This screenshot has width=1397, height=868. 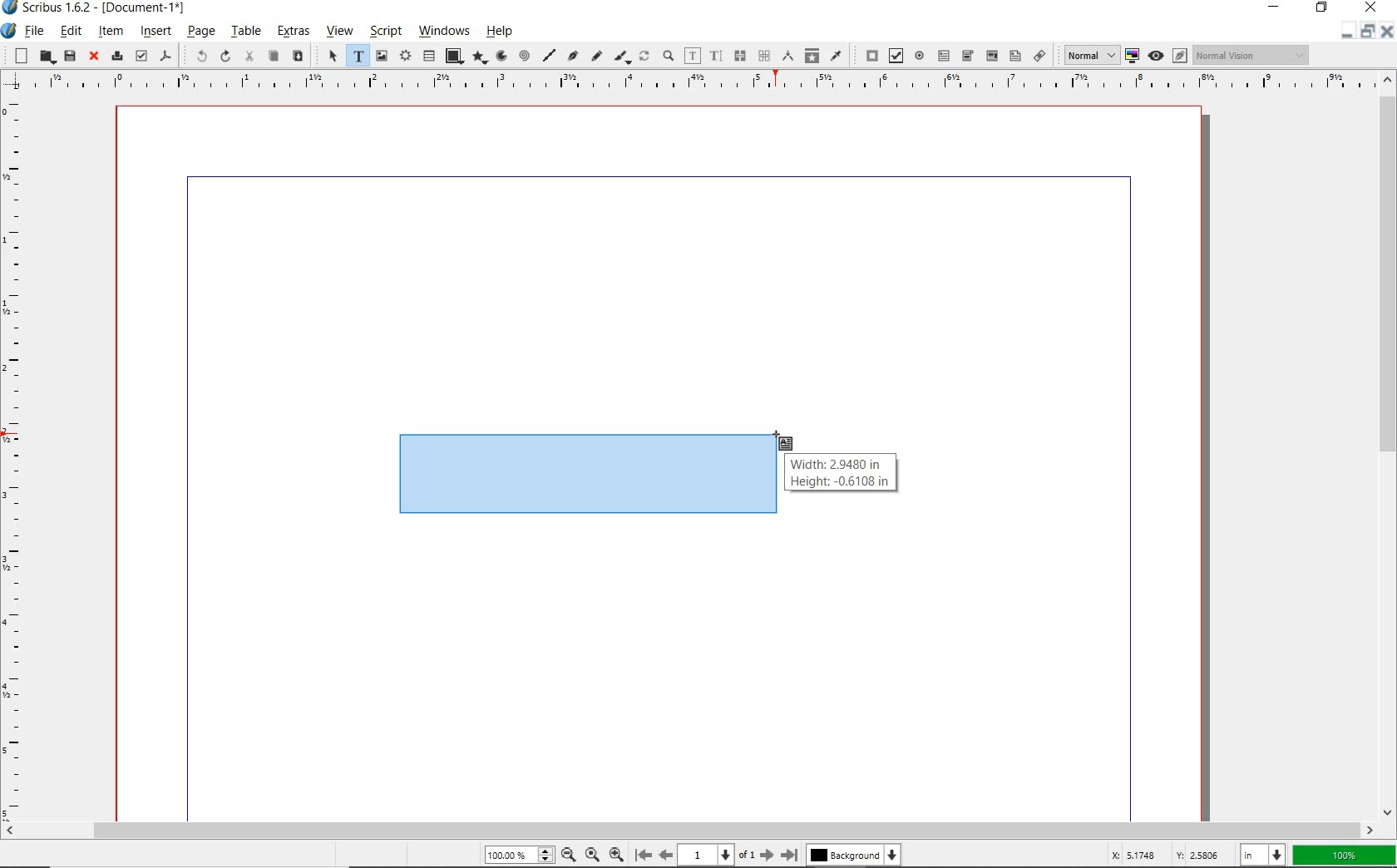 I want to click on Zoom out, so click(x=565, y=855).